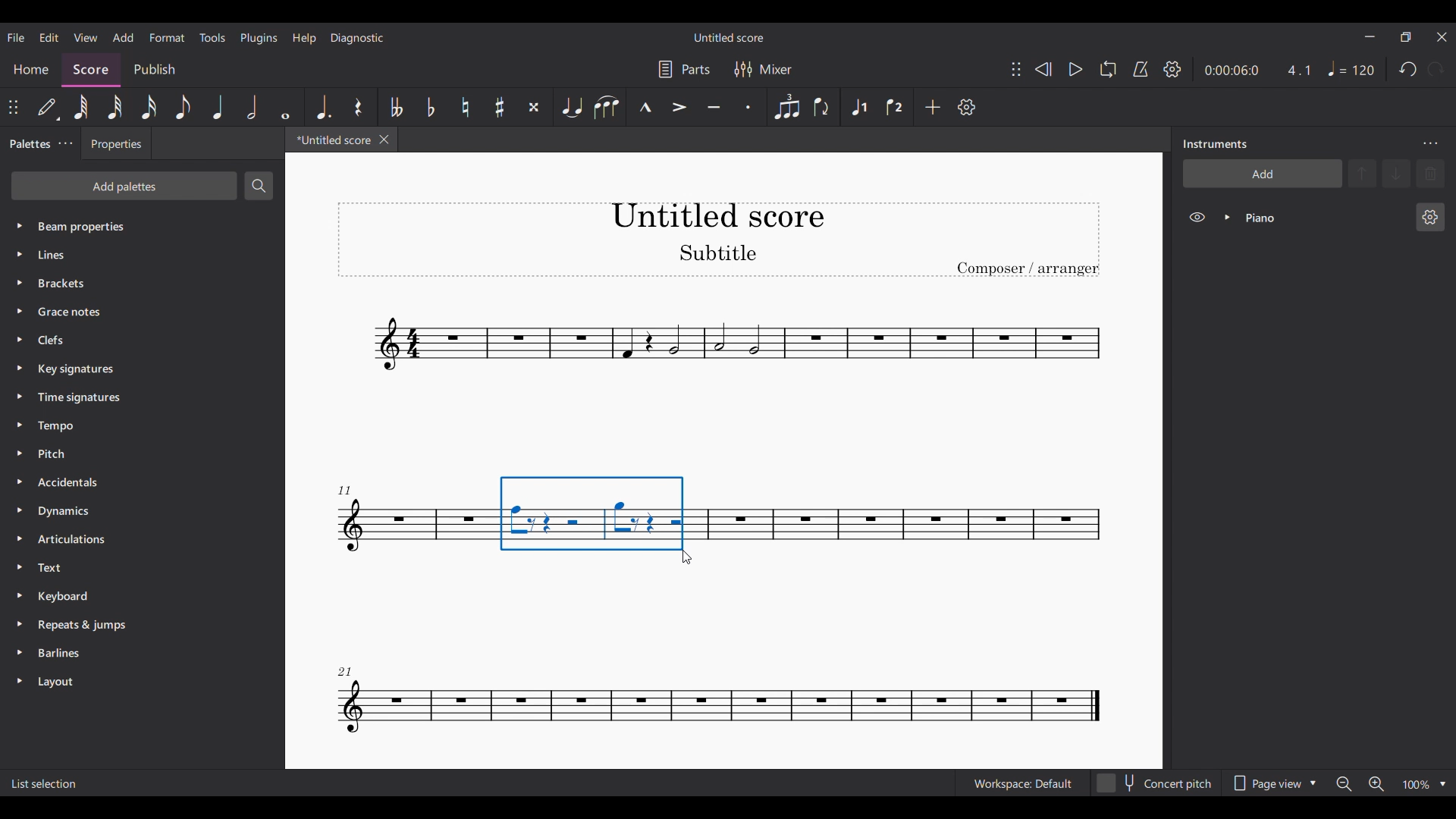 The image size is (1456, 819). I want to click on Add palette, so click(124, 186).